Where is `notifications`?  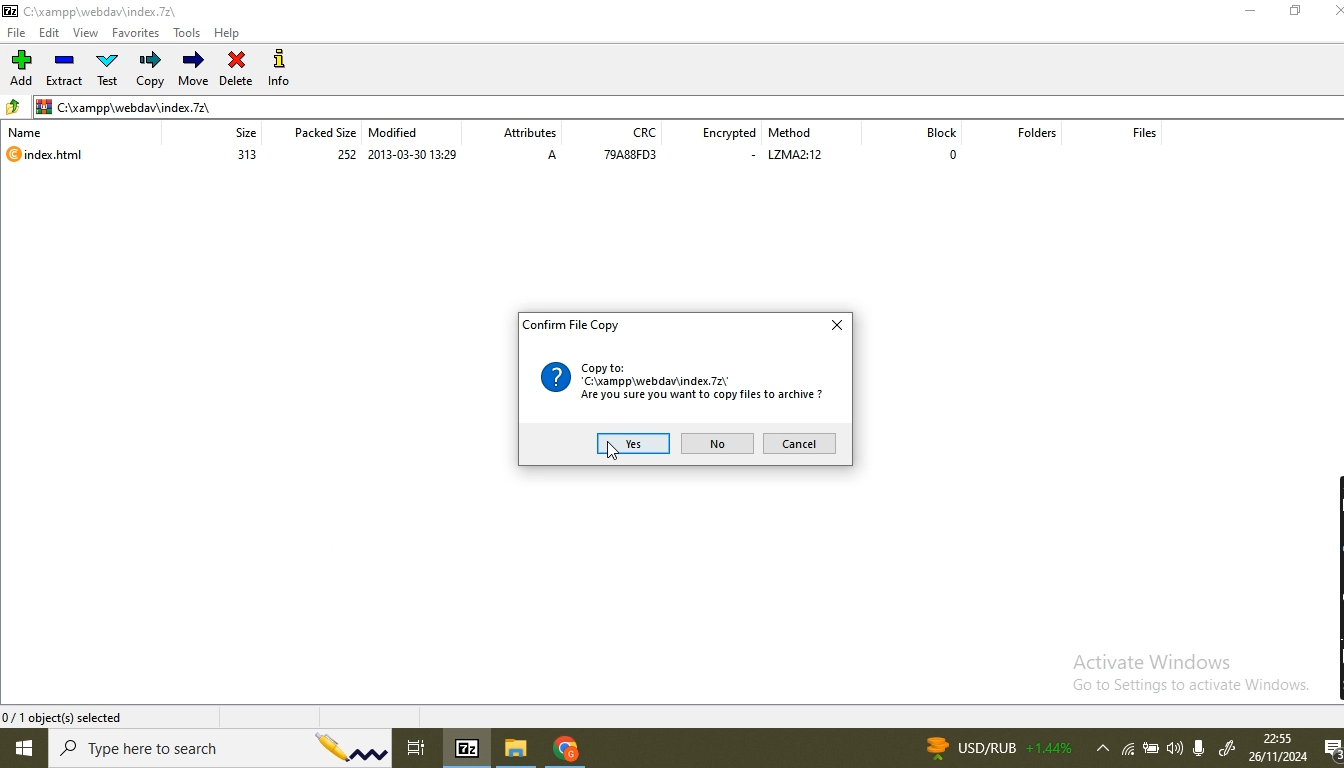
notifications is located at coordinates (1330, 750).